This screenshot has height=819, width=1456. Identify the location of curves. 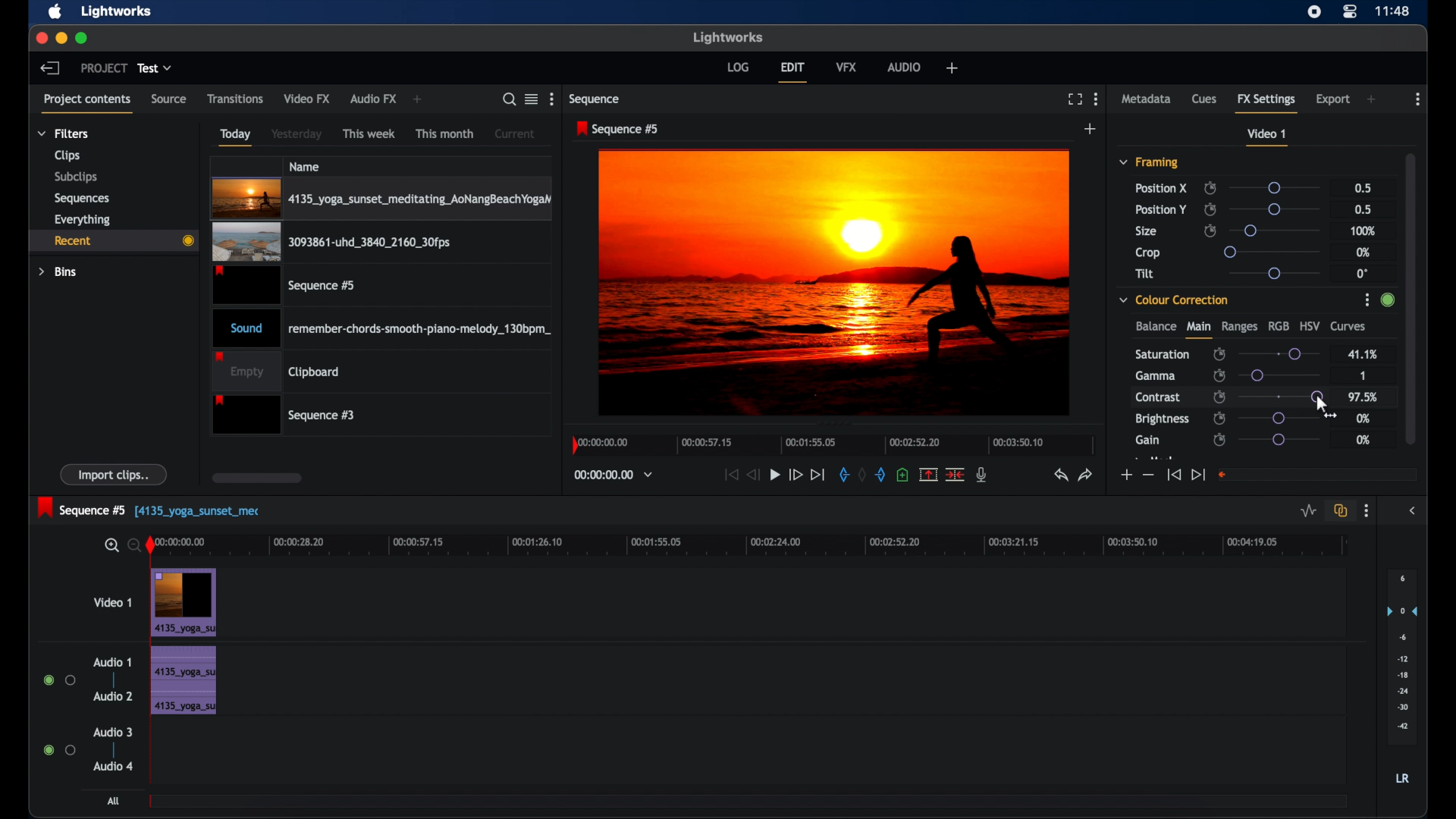
(1350, 327).